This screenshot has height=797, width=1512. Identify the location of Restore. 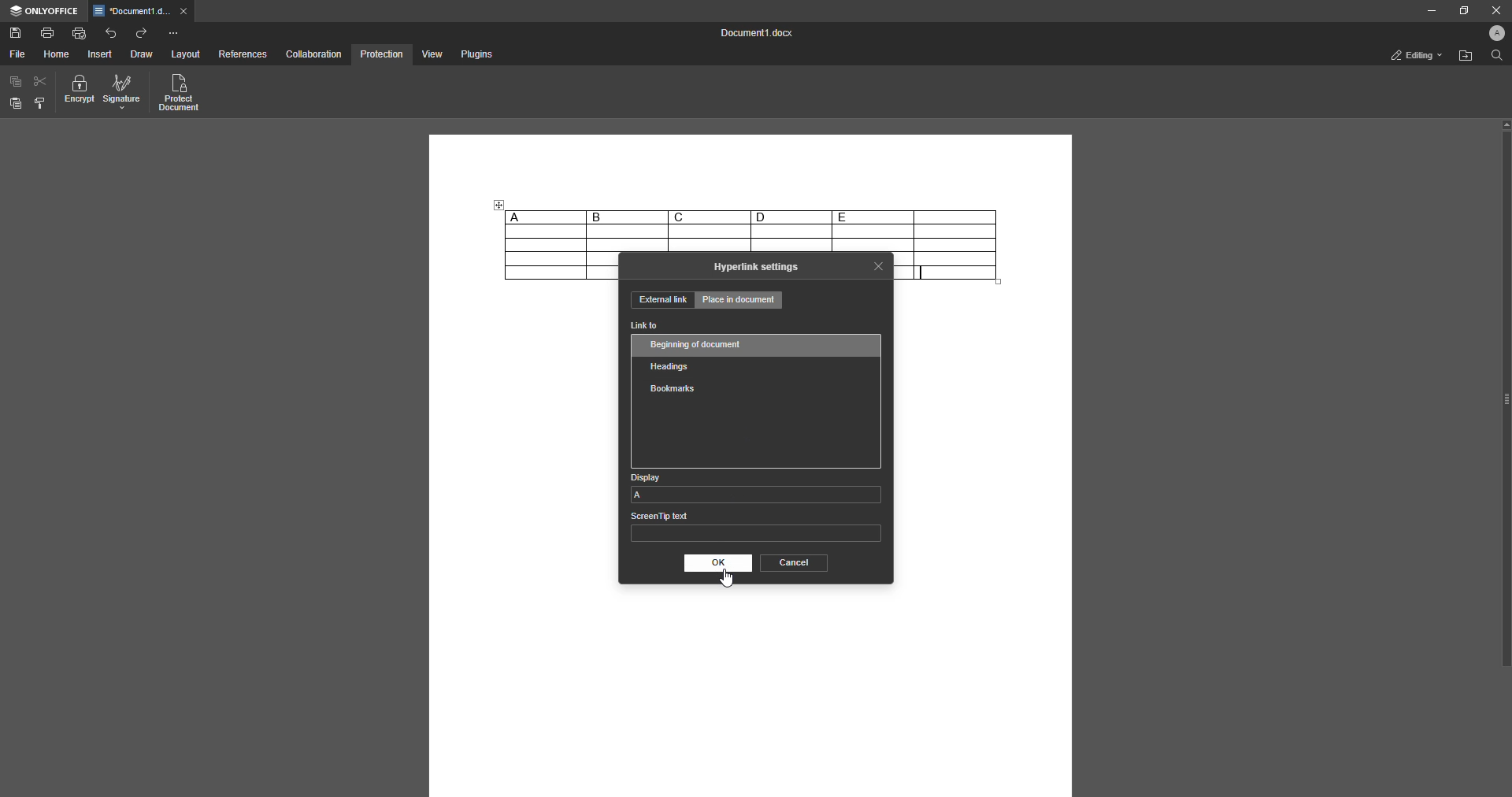
(1460, 10).